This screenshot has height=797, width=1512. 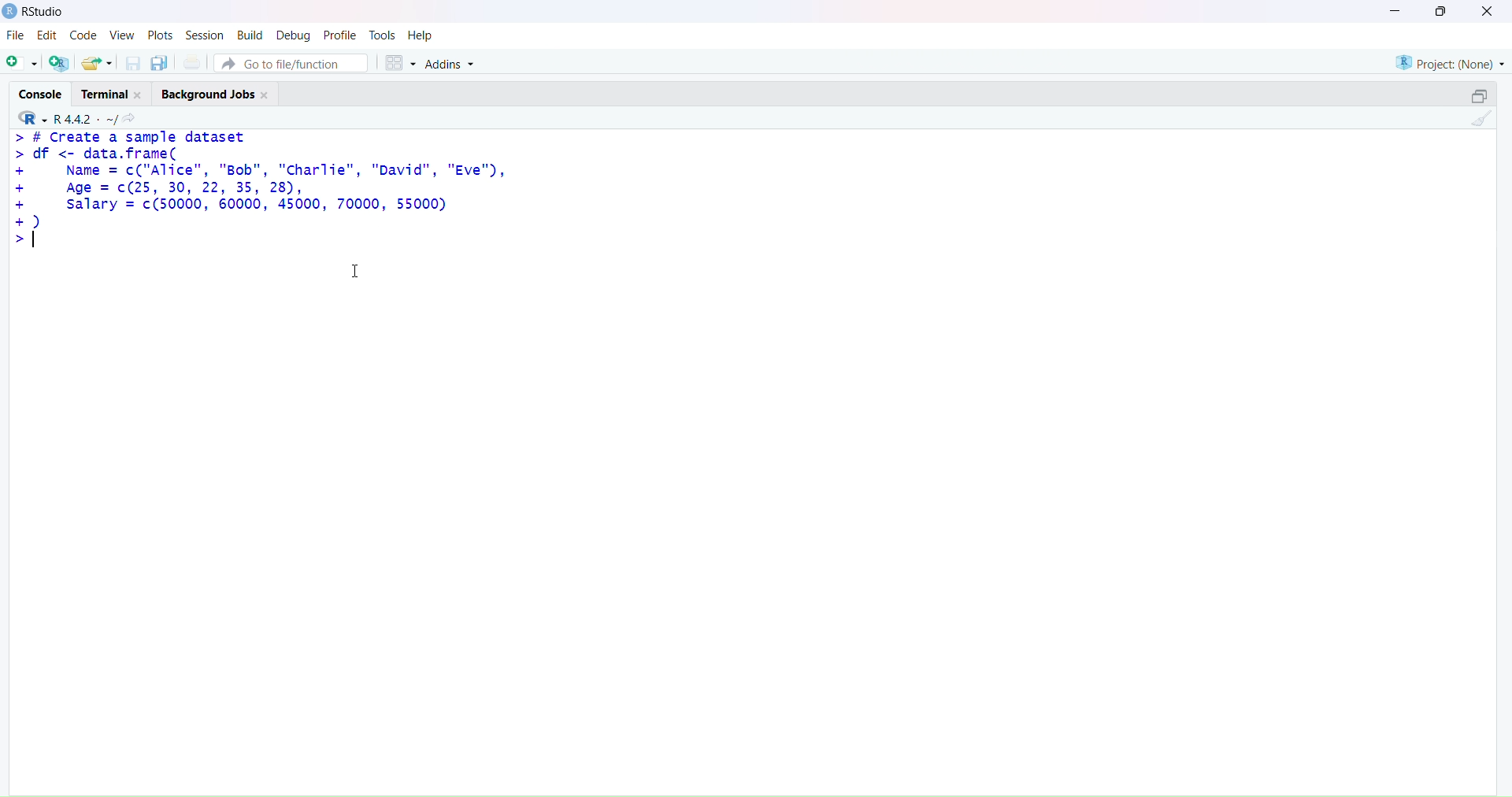 I want to click on text cursor, so click(x=32, y=239).